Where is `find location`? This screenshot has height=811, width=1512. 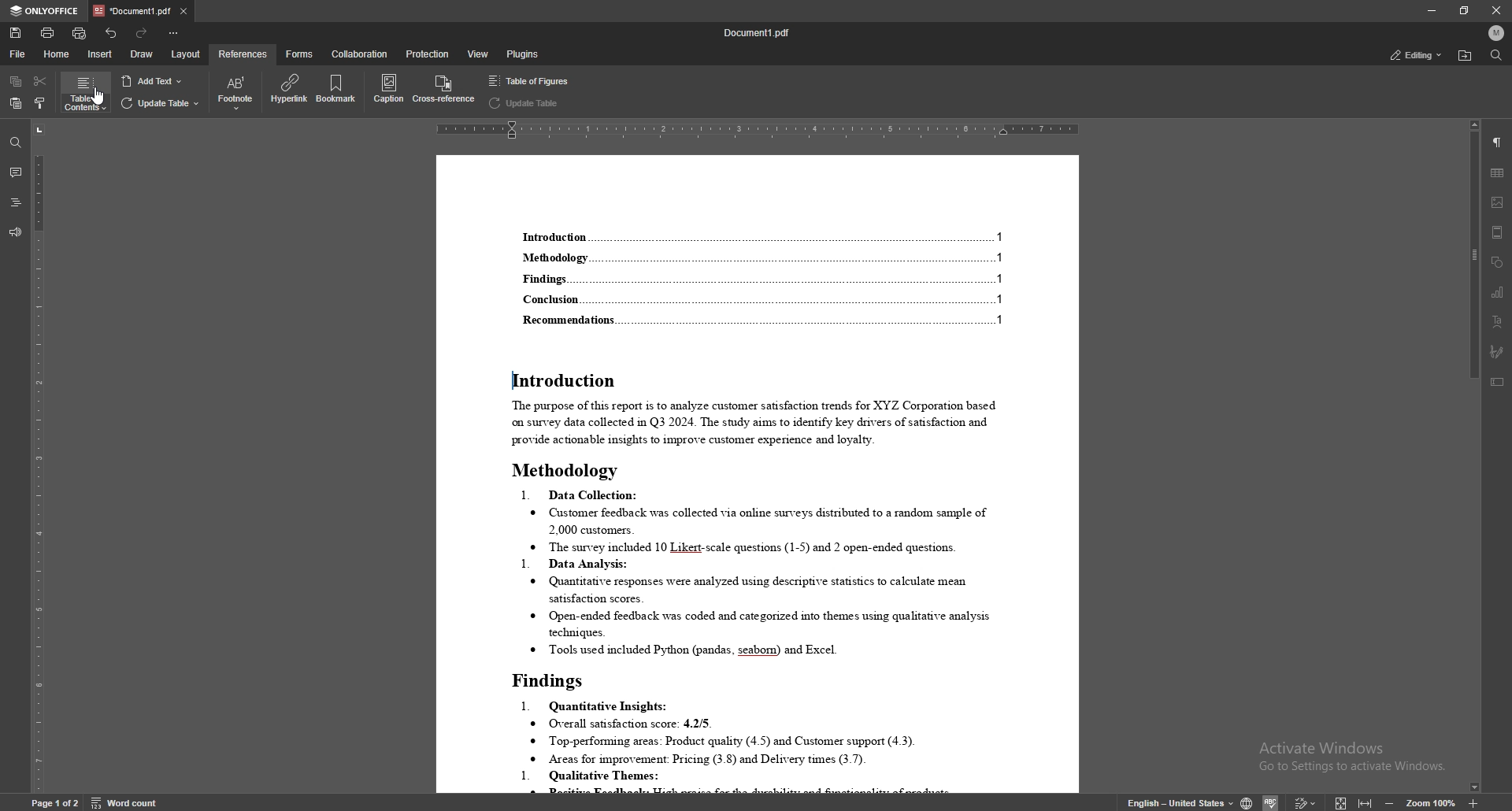
find location is located at coordinates (1466, 56).